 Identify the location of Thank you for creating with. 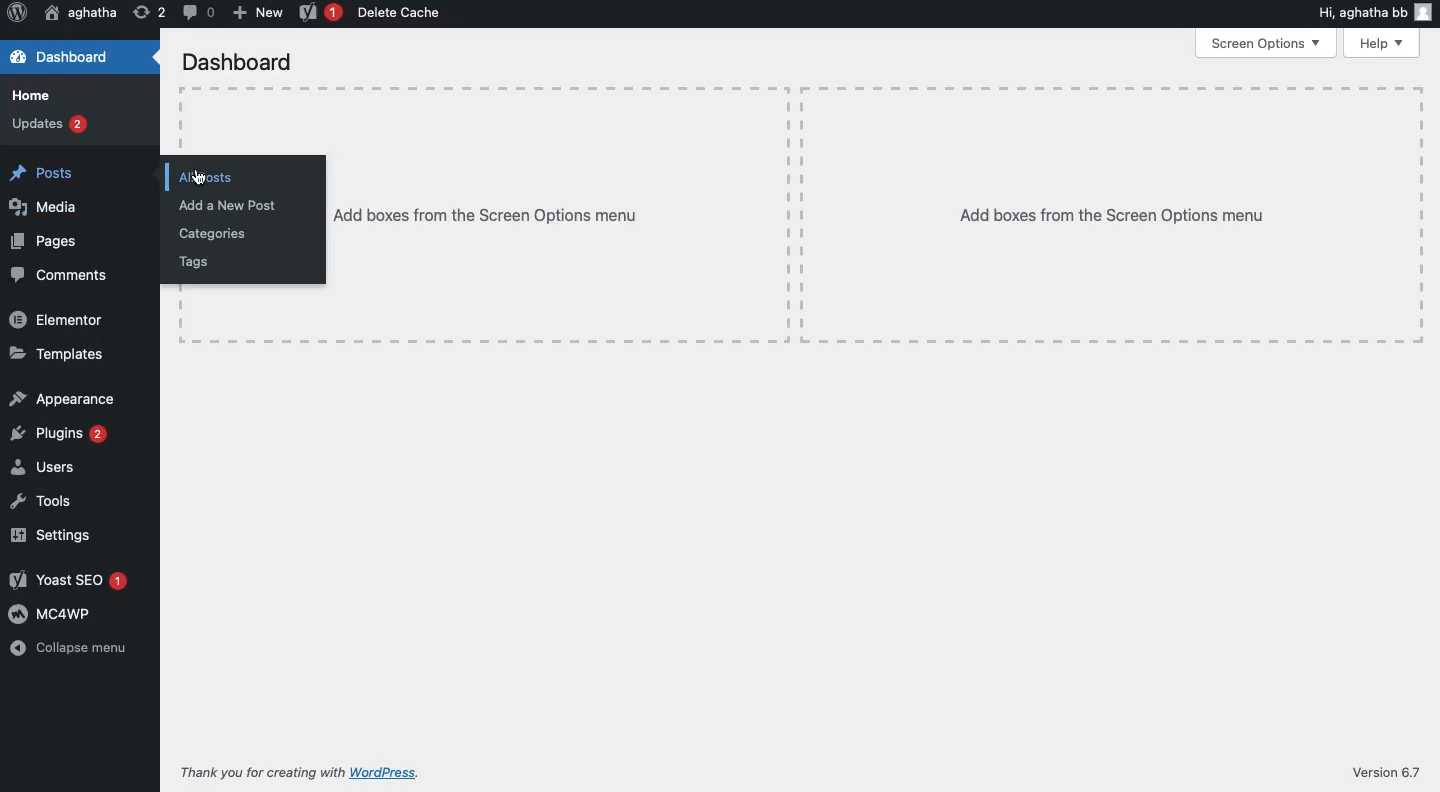
(259, 769).